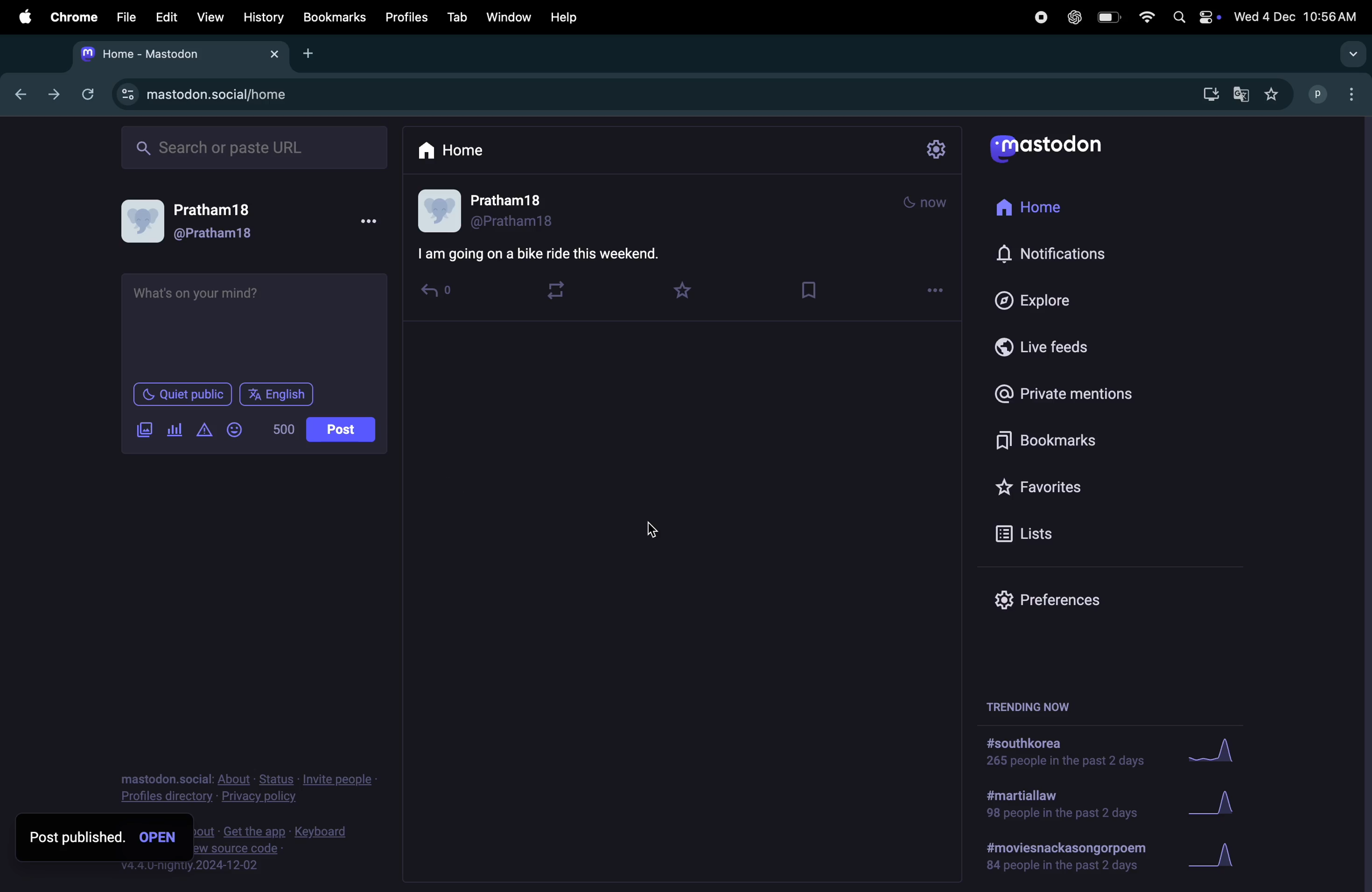 This screenshot has height=892, width=1372. What do you see at coordinates (687, 290) in the screenshot?
I see `favourites` at bounding box center [687, 290].